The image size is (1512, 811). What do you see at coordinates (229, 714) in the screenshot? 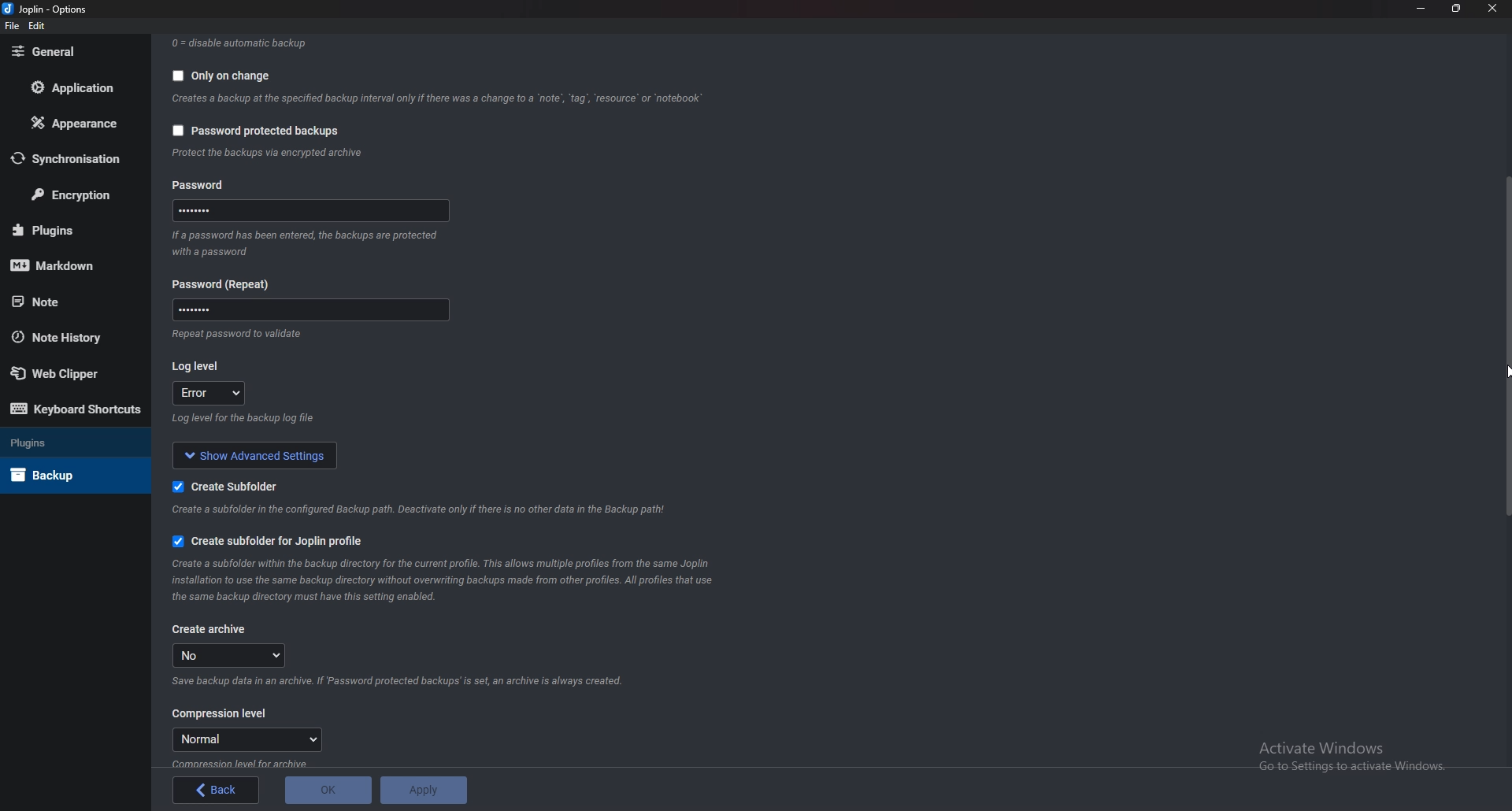
I see `Compression level` at bounding box center [229, 714].